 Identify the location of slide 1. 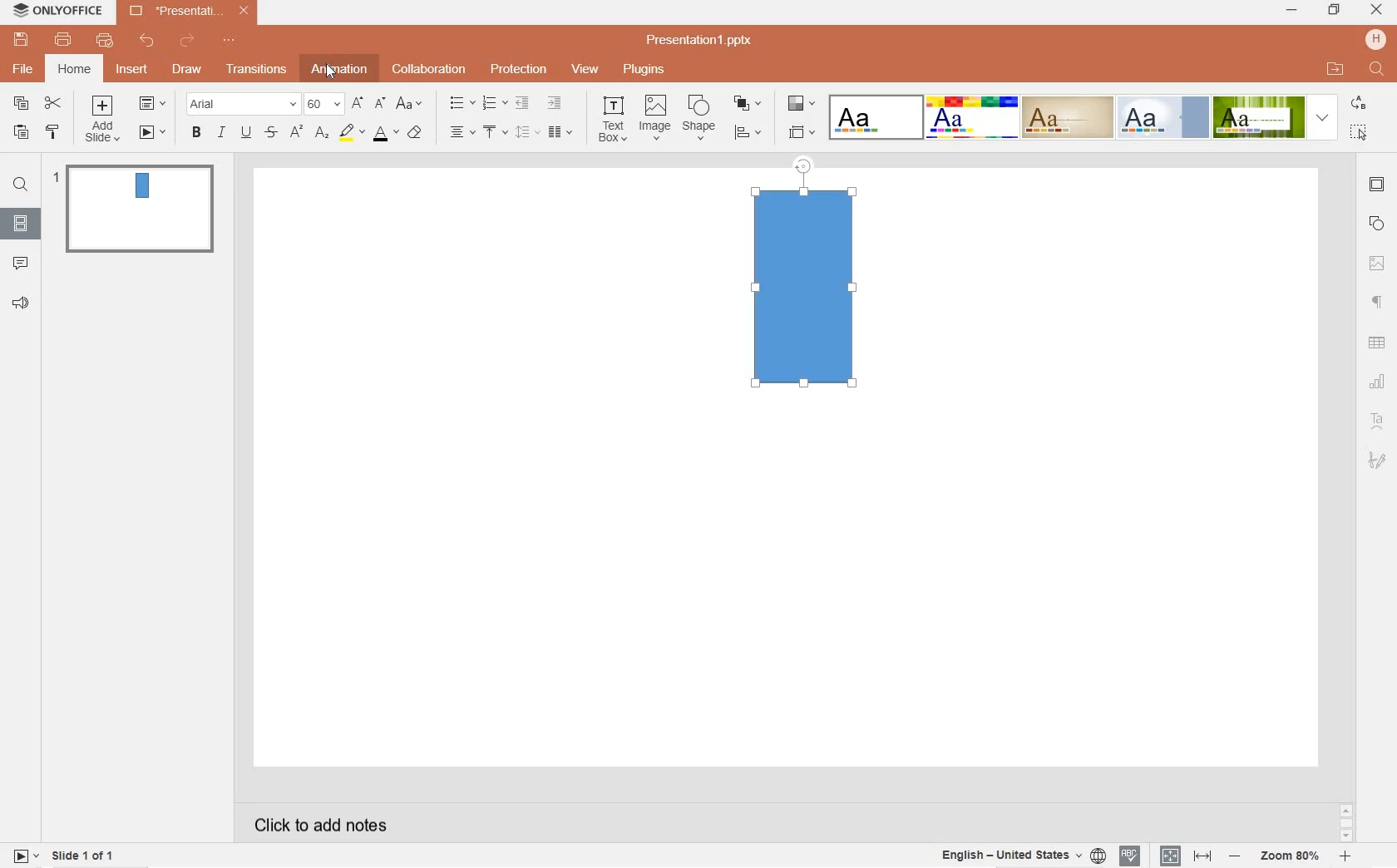
(138, 207).